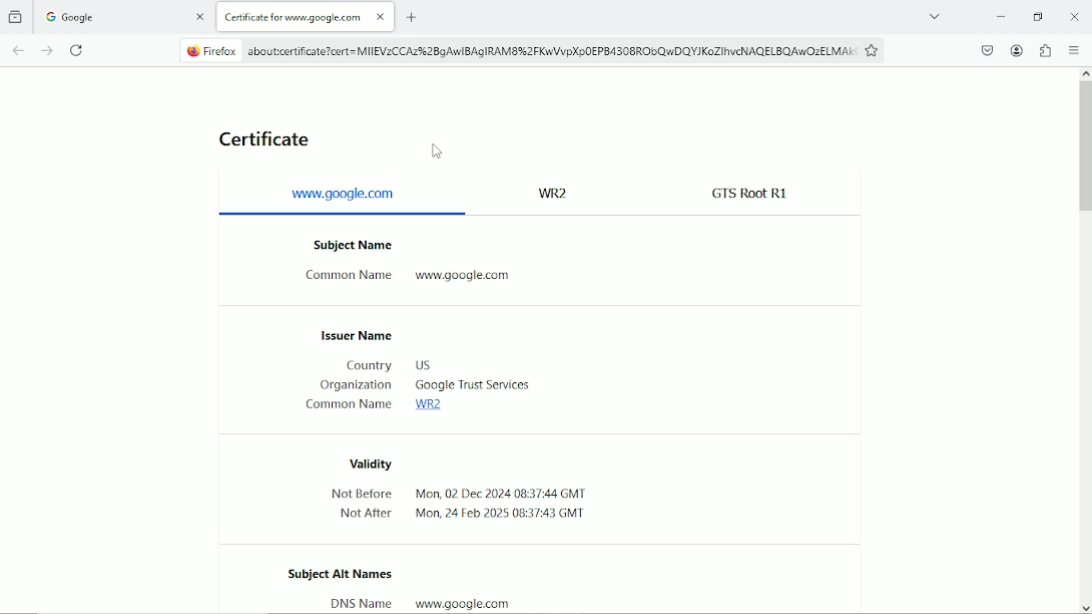  Describe the element at coordinates (440, 151) in the screenshot. I see `Cursor` at that location.